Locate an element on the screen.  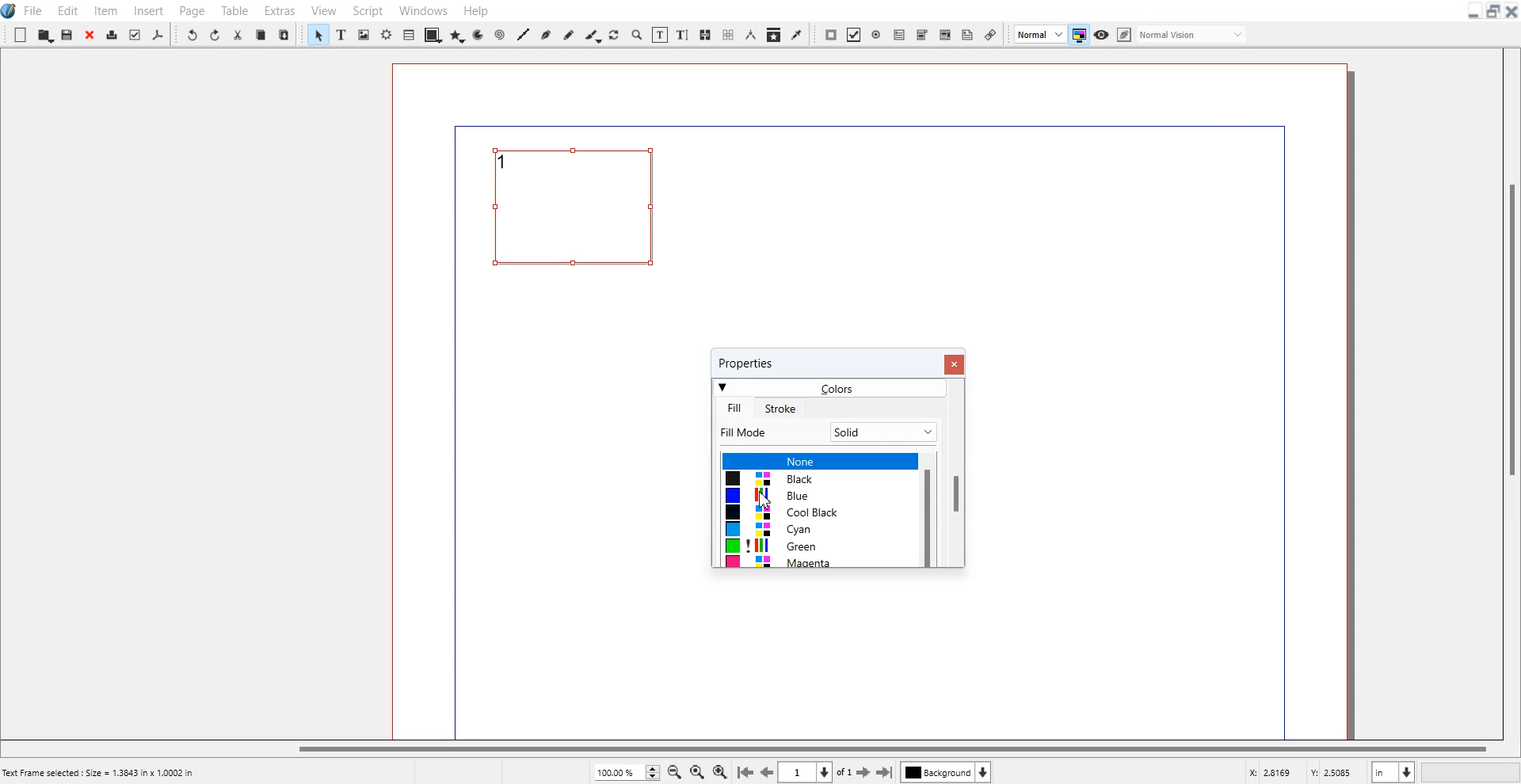
Cut is located at coordinates (238, 33).